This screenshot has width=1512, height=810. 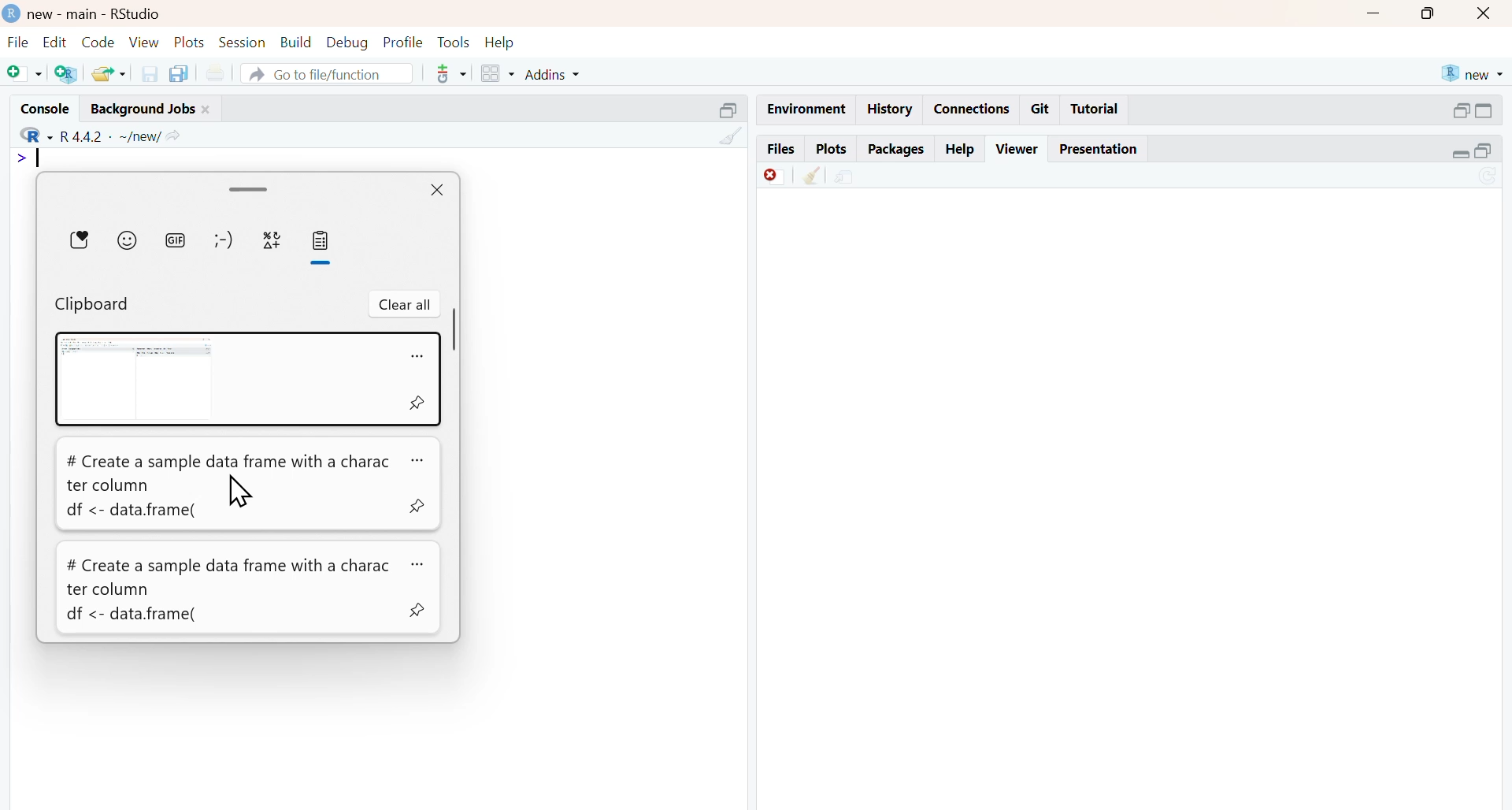 I want to click on viewer, so click(x=1019, y=149).